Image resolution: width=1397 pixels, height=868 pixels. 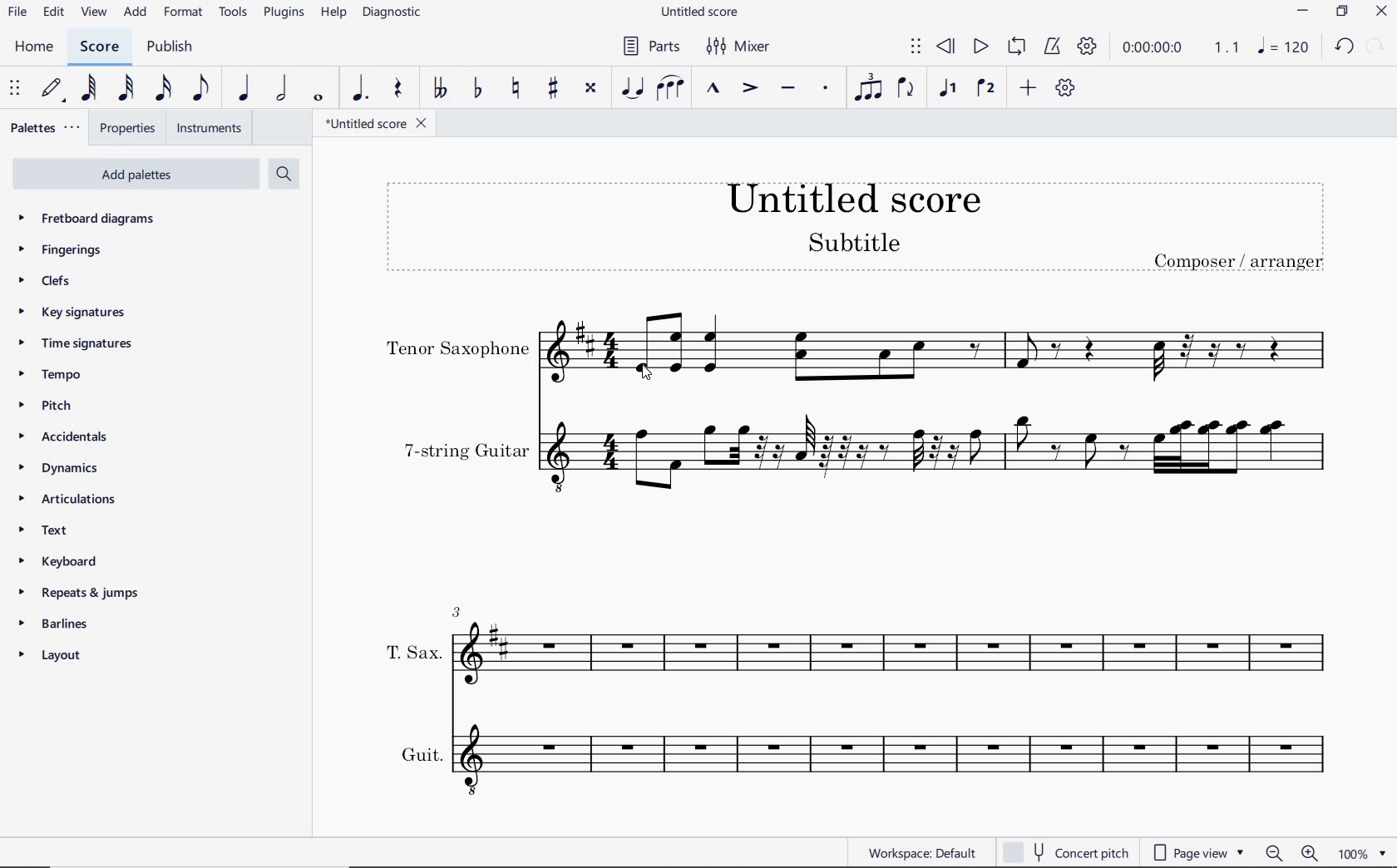 I want to click on KEYBOARD, so click(x=56, y=560).